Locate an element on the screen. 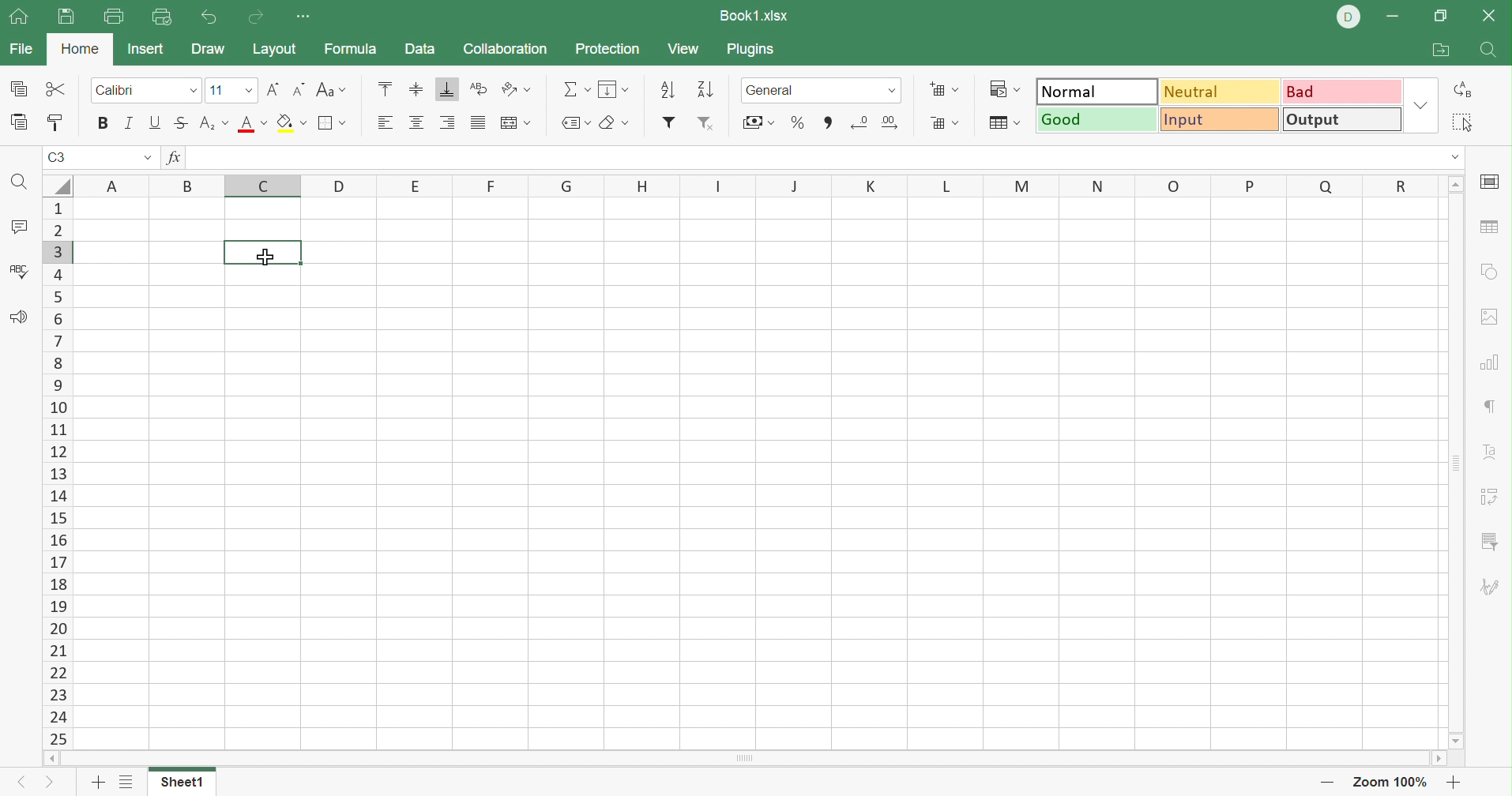 The height and width of the screenshot is (796, 1512). Sheet1 is located at coordinates (182, 782).